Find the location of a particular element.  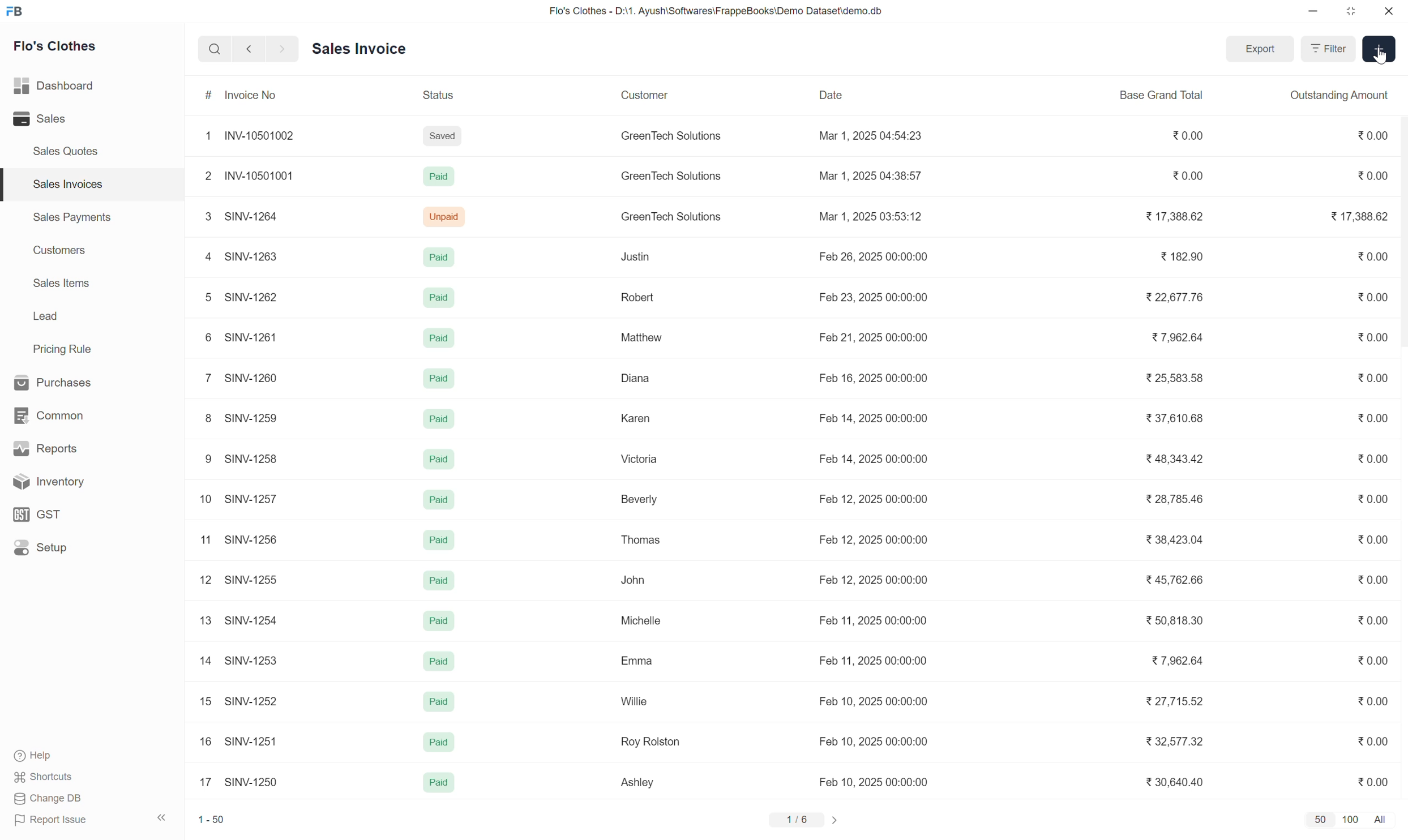

₹0.00 is located at coordinates (1369, 419).